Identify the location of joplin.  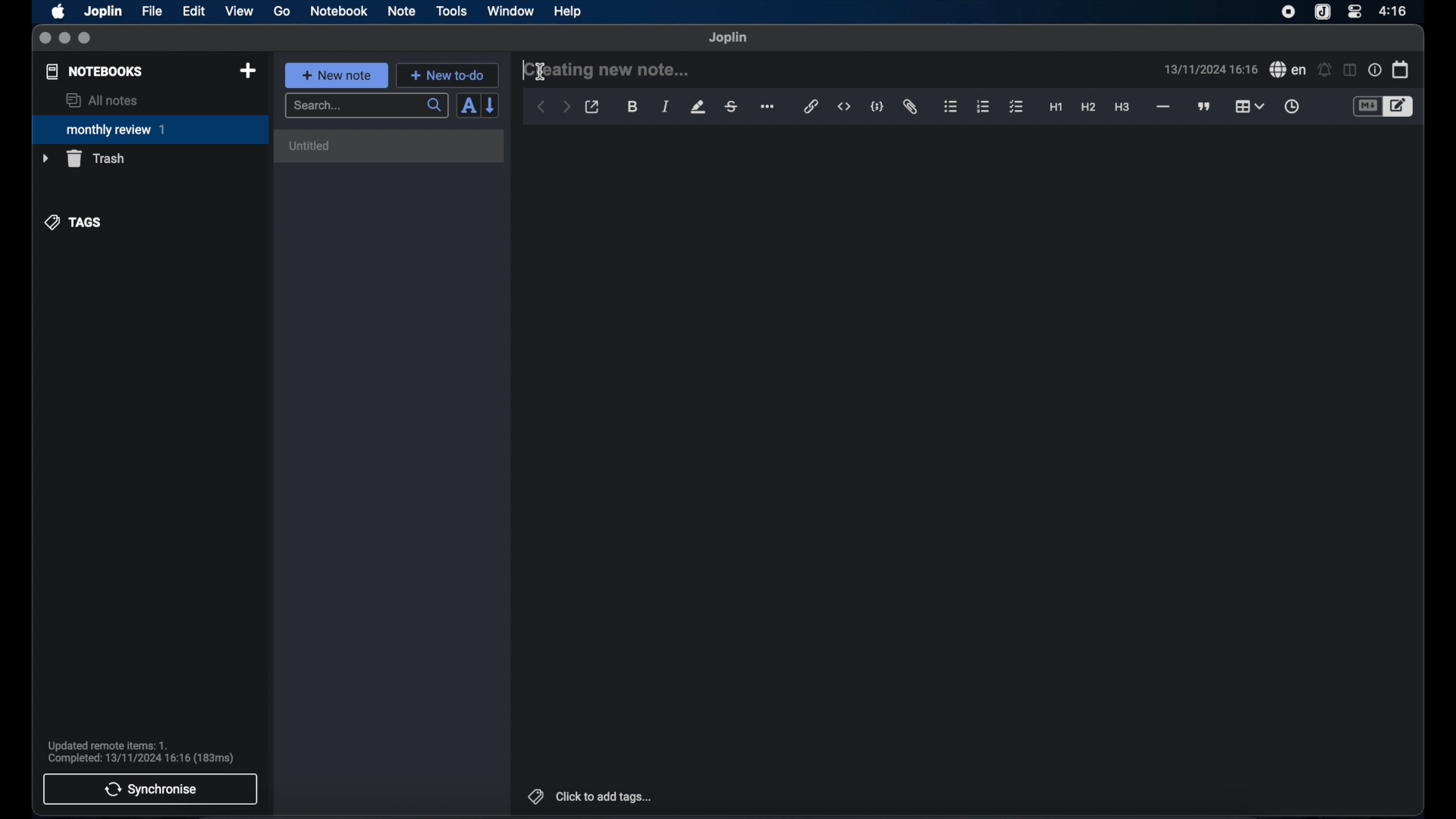
(728, 37).